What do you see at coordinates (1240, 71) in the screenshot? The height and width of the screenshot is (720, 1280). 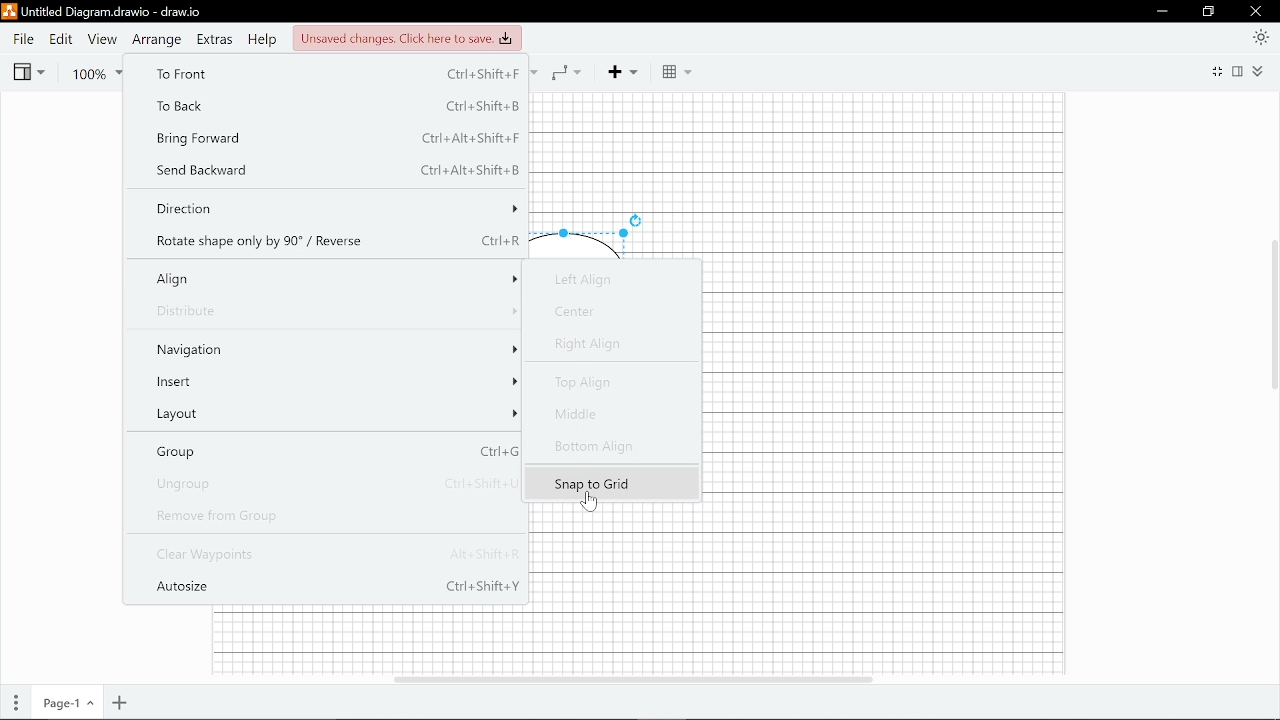 I see `Format` at bounding box center [1240, 71].